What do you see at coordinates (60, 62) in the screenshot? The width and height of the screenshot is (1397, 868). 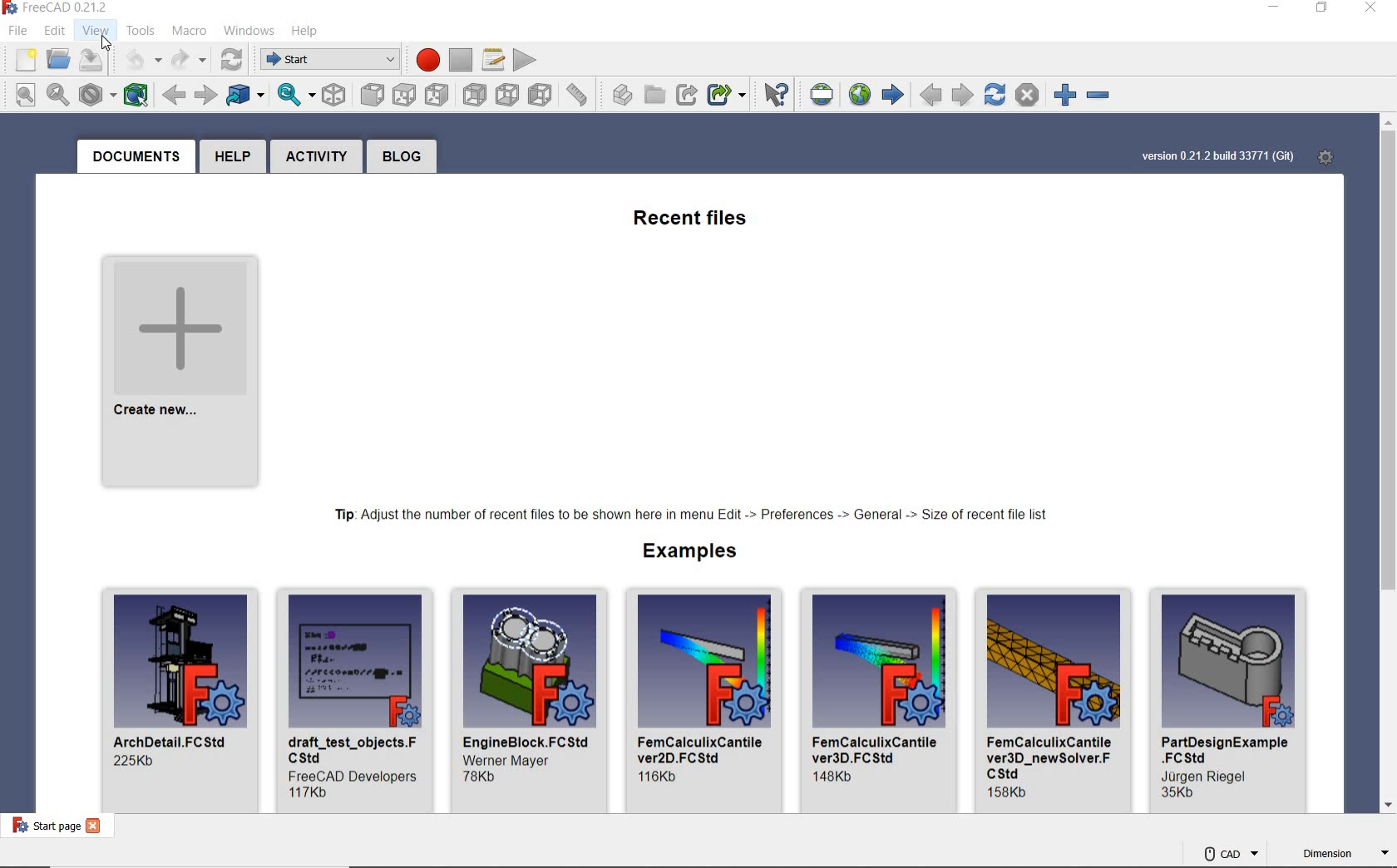 I see `open` at bounding box center [60, 62].